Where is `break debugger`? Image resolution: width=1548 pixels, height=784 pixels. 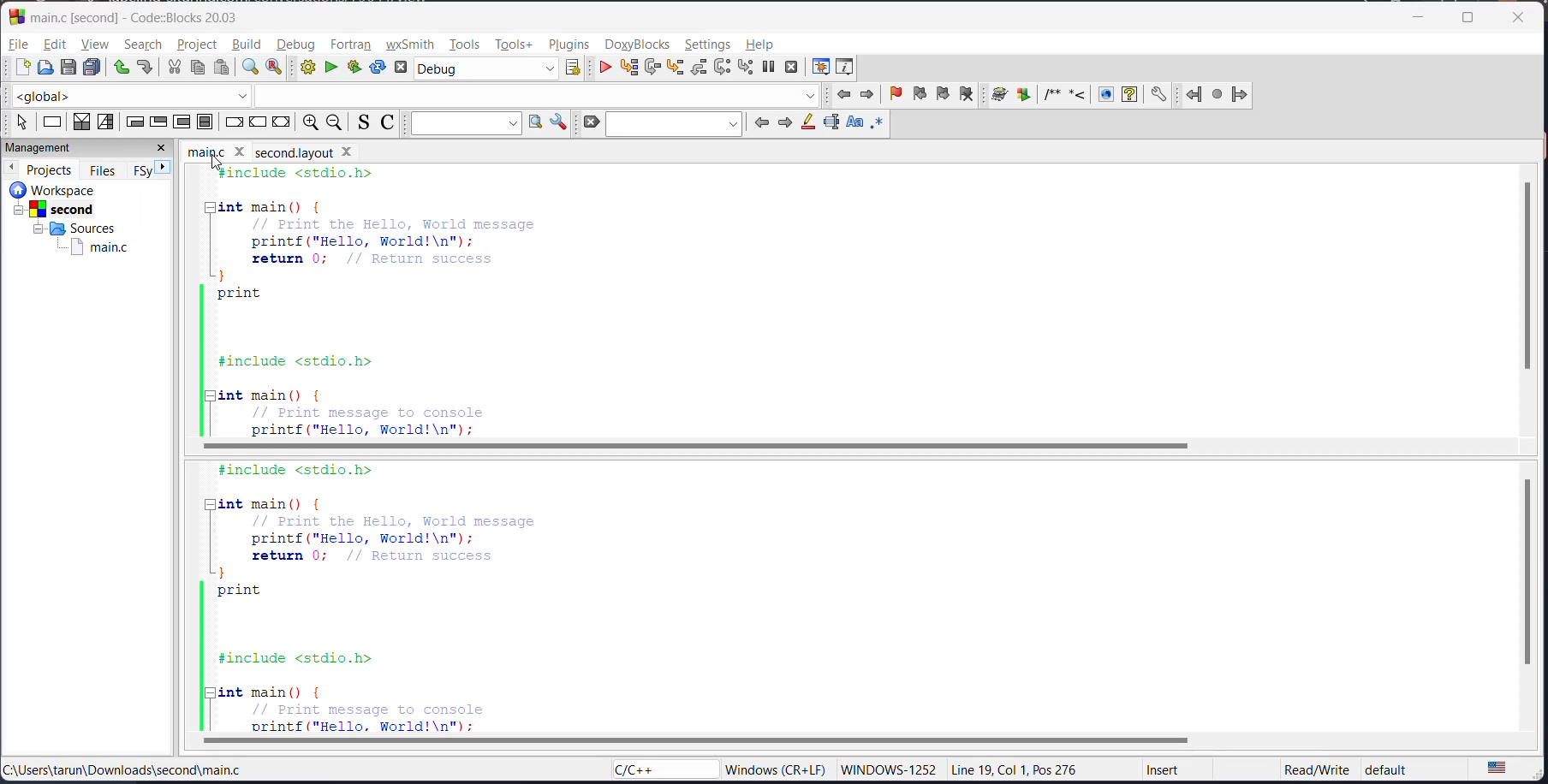
break debugger is located at coordinates (767, 68).